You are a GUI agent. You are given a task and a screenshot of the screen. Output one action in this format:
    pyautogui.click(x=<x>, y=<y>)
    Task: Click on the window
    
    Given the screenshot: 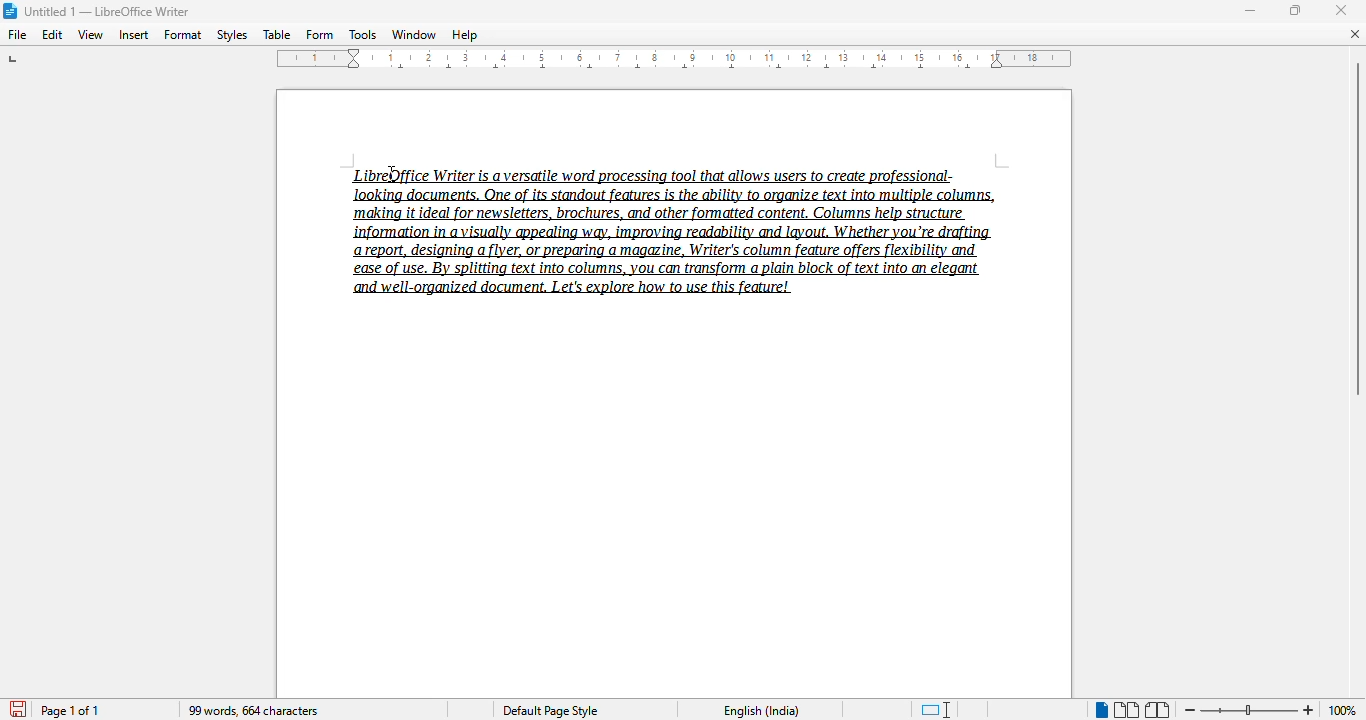 What is the action you would take?
    pyautogui.click(x=415, y=34)
    